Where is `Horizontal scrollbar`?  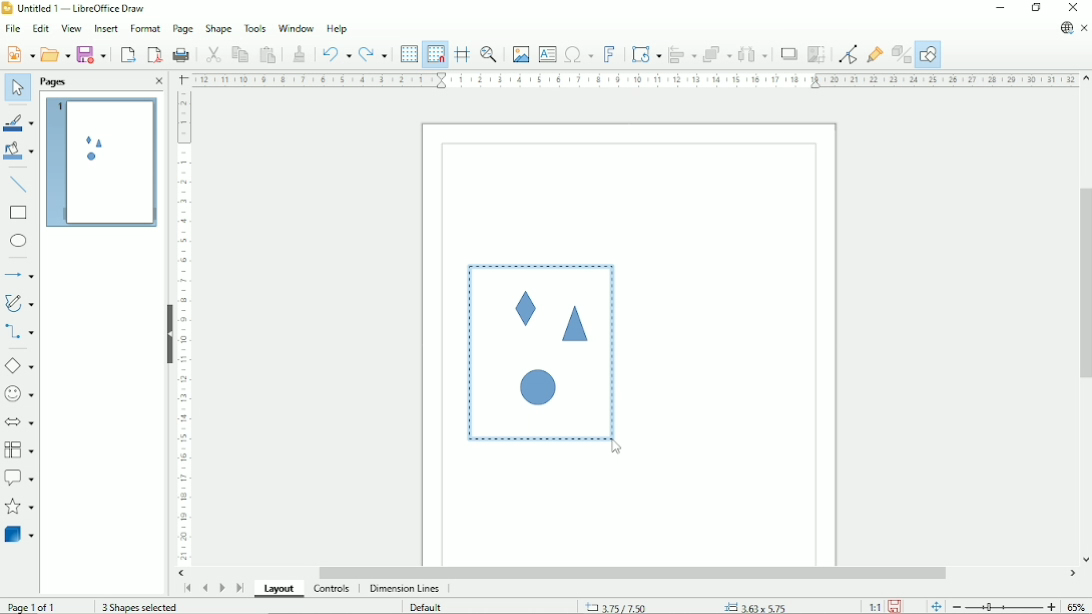 Horizontal scrollbar is located at coordinates (635, 573).